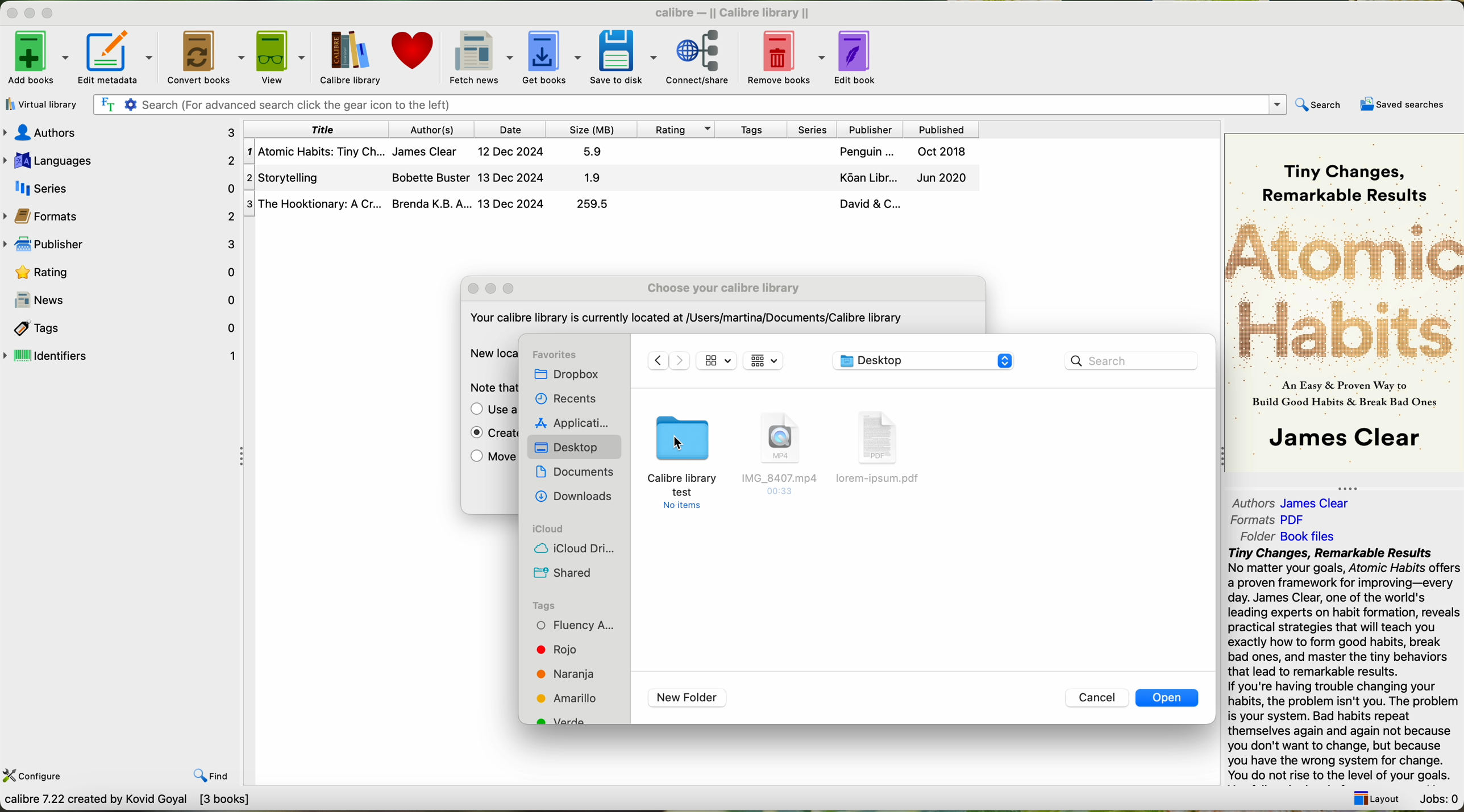 This screenshot has height=812, width=1464. What do you see at coordinates (942, 128) in the screenshot?
I see `published` at bounding box center [942, 128].